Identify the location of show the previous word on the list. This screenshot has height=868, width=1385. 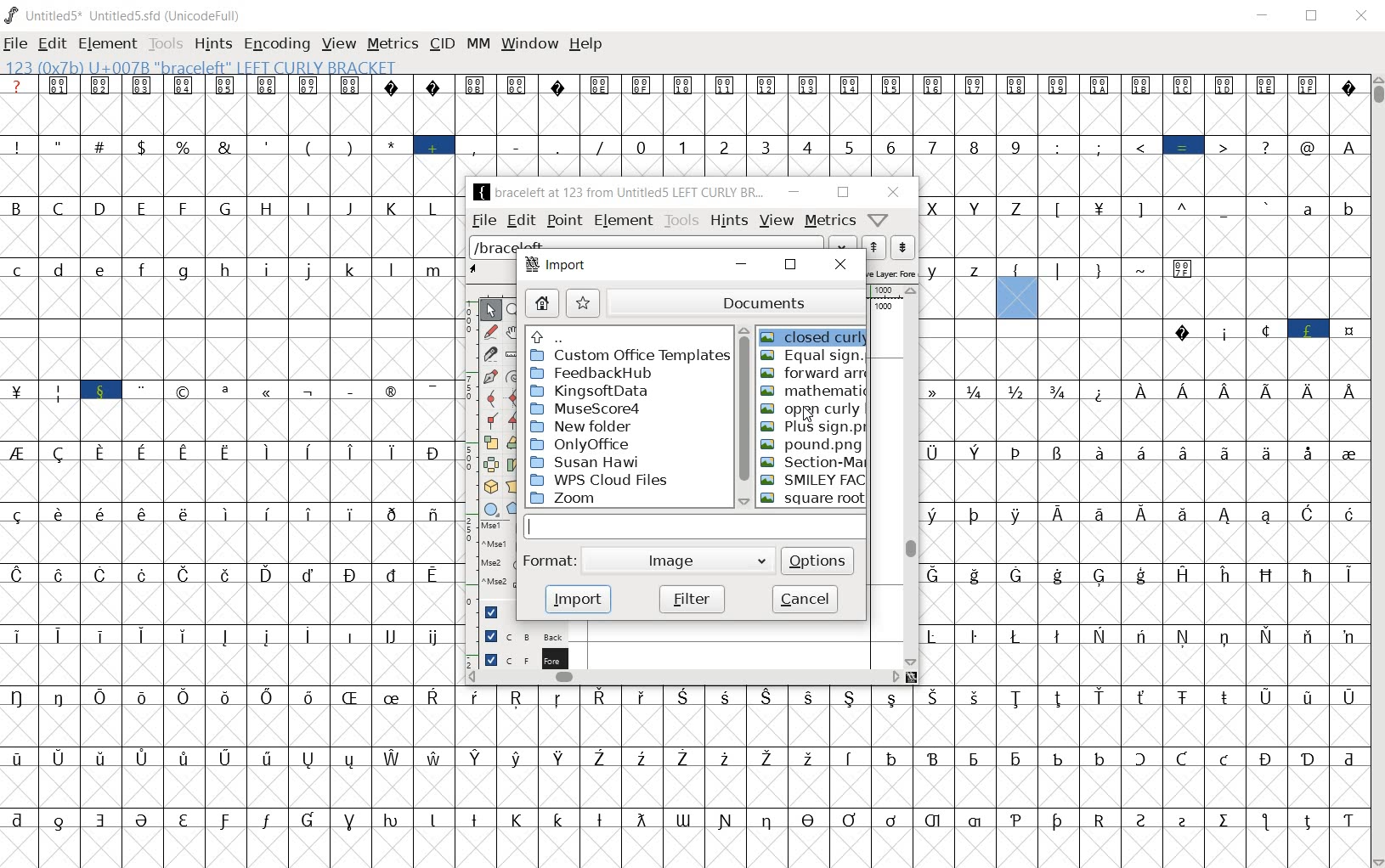
(902, 247).